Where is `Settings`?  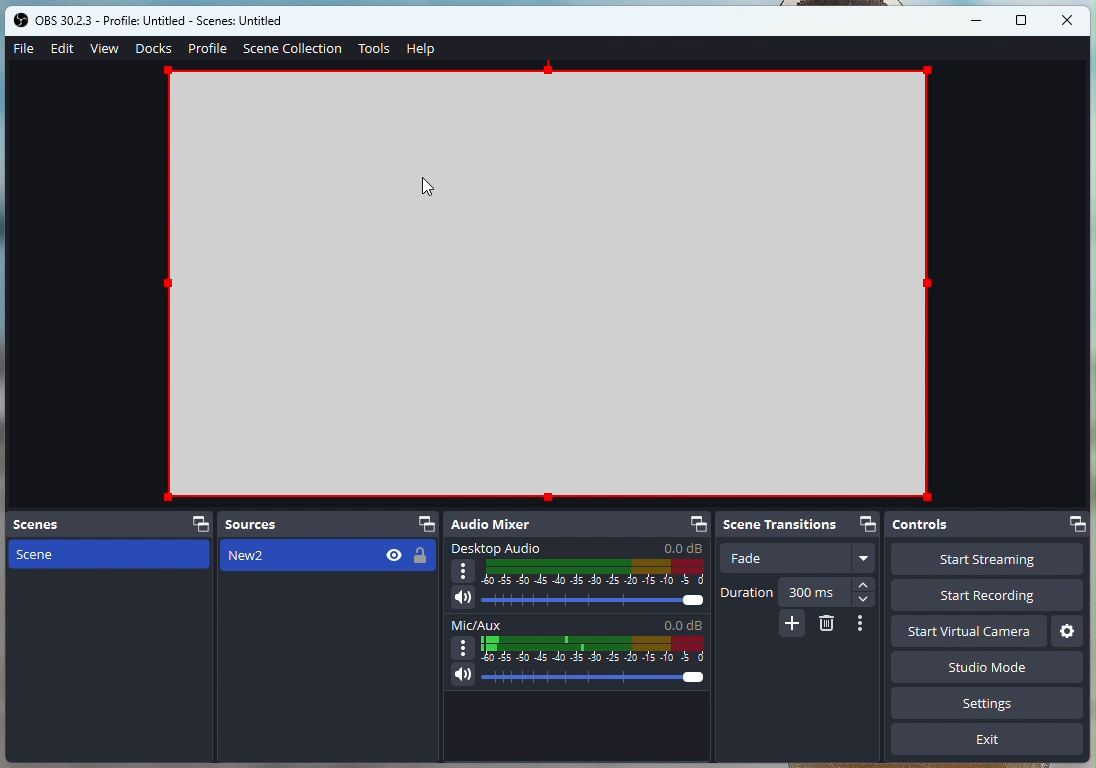 Settings is located at coordinates (991, 706).